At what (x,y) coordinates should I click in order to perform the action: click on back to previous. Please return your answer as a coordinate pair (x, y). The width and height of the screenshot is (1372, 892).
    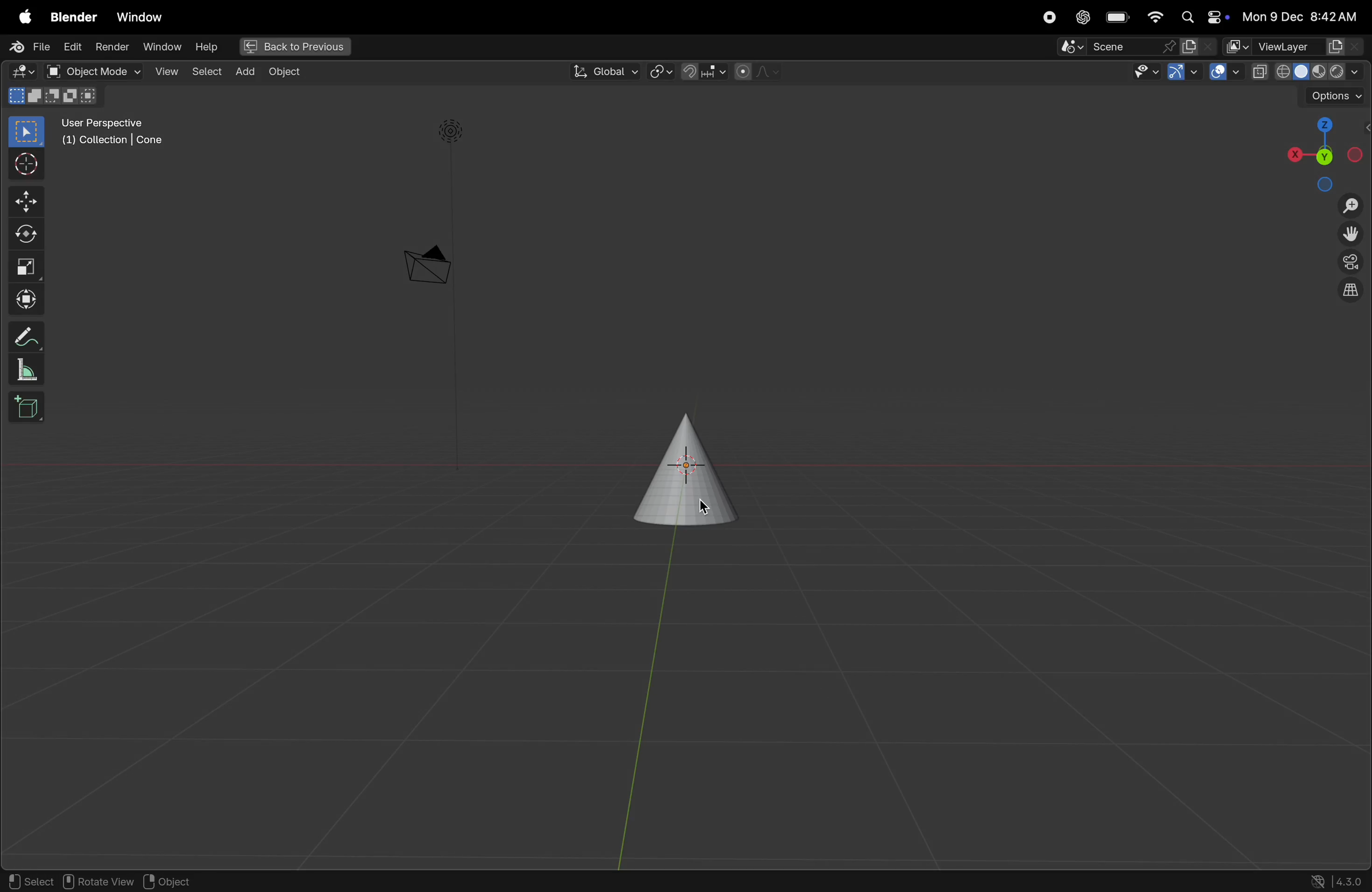
    Looking at the image, I should click on (296, 47).